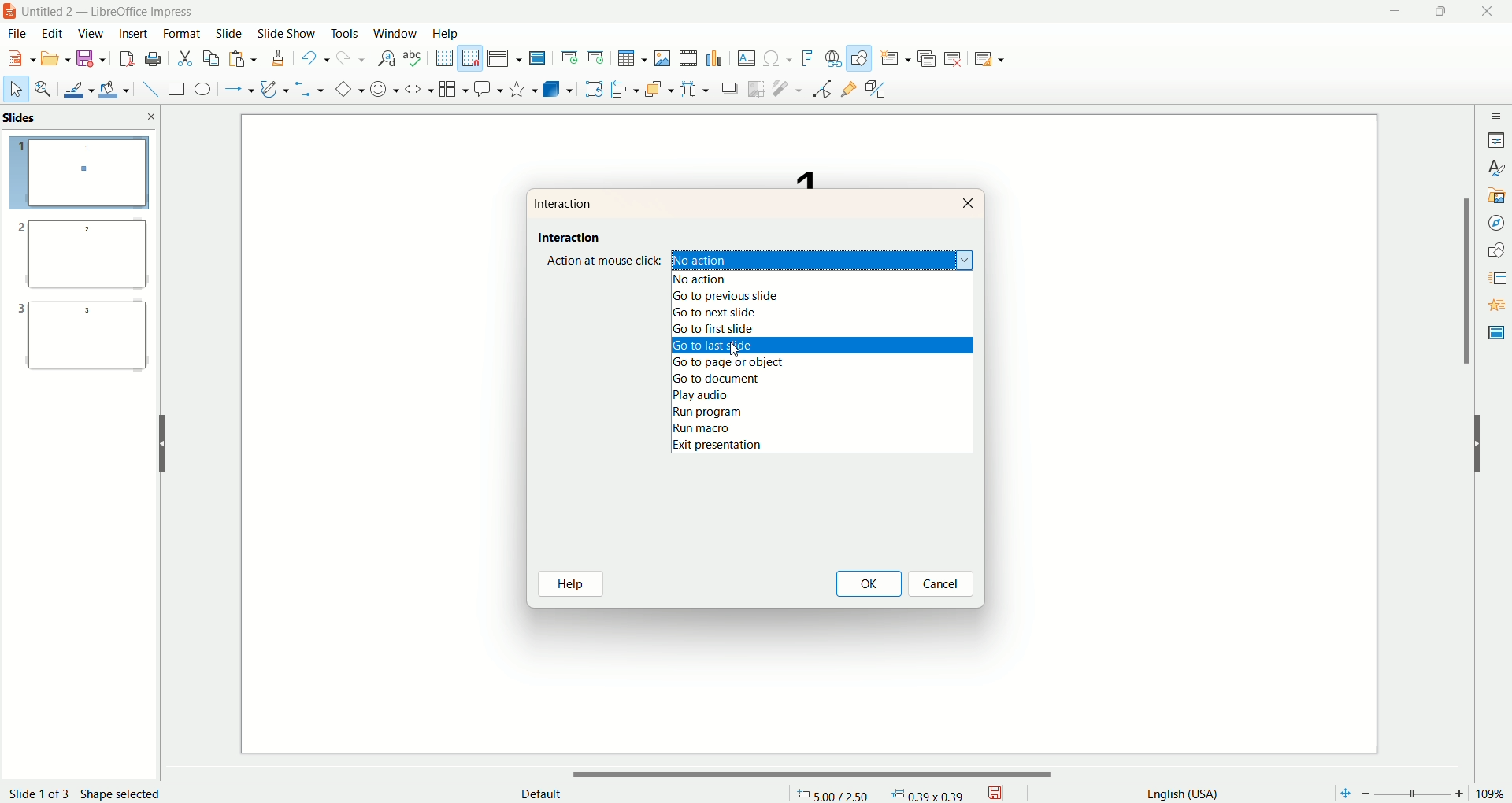  I want to click on style, so click(1495, 168).